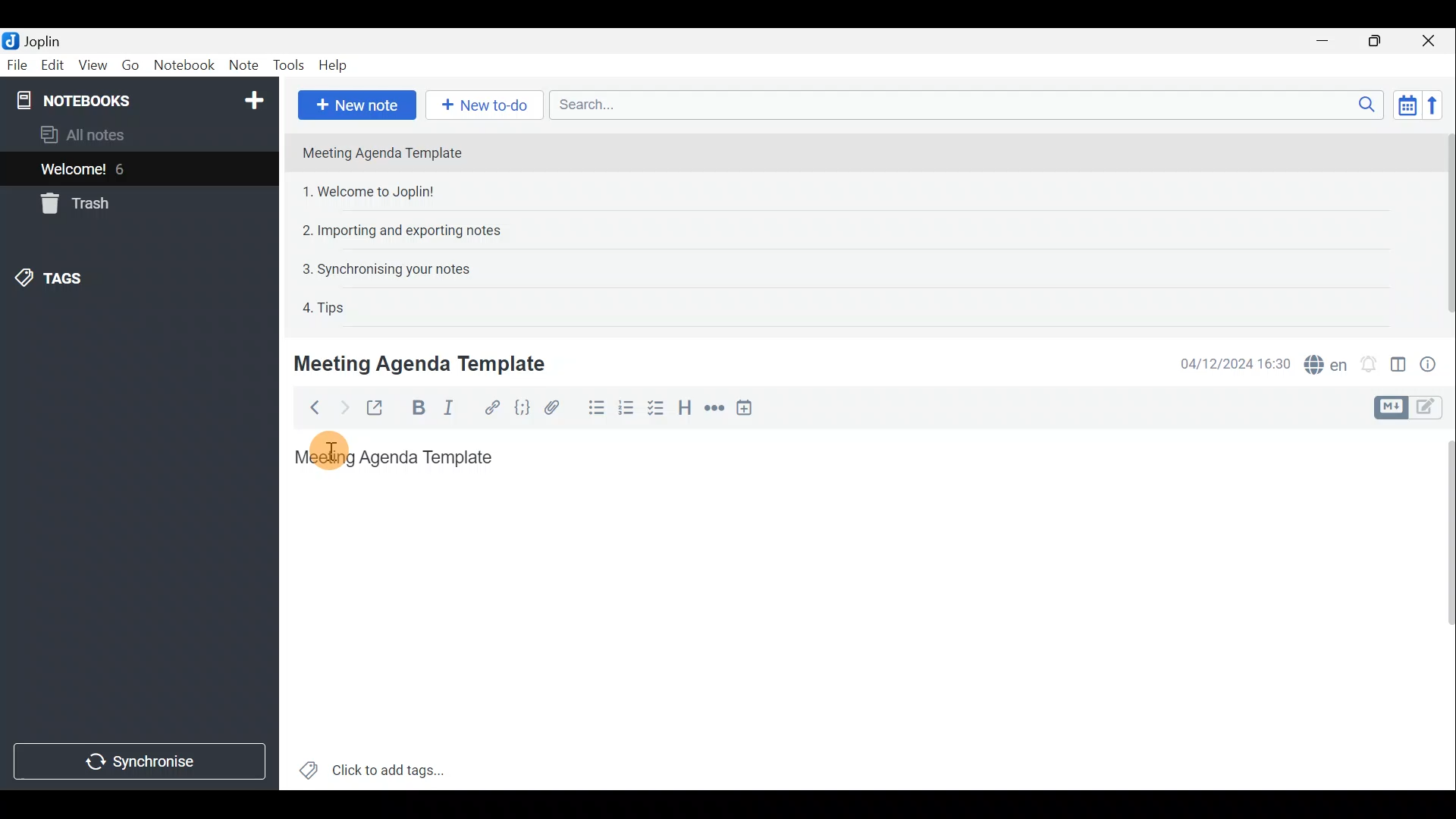 The height and width of the screenshot is (819, 1456). I want to click on Close, so click(1429, 42).